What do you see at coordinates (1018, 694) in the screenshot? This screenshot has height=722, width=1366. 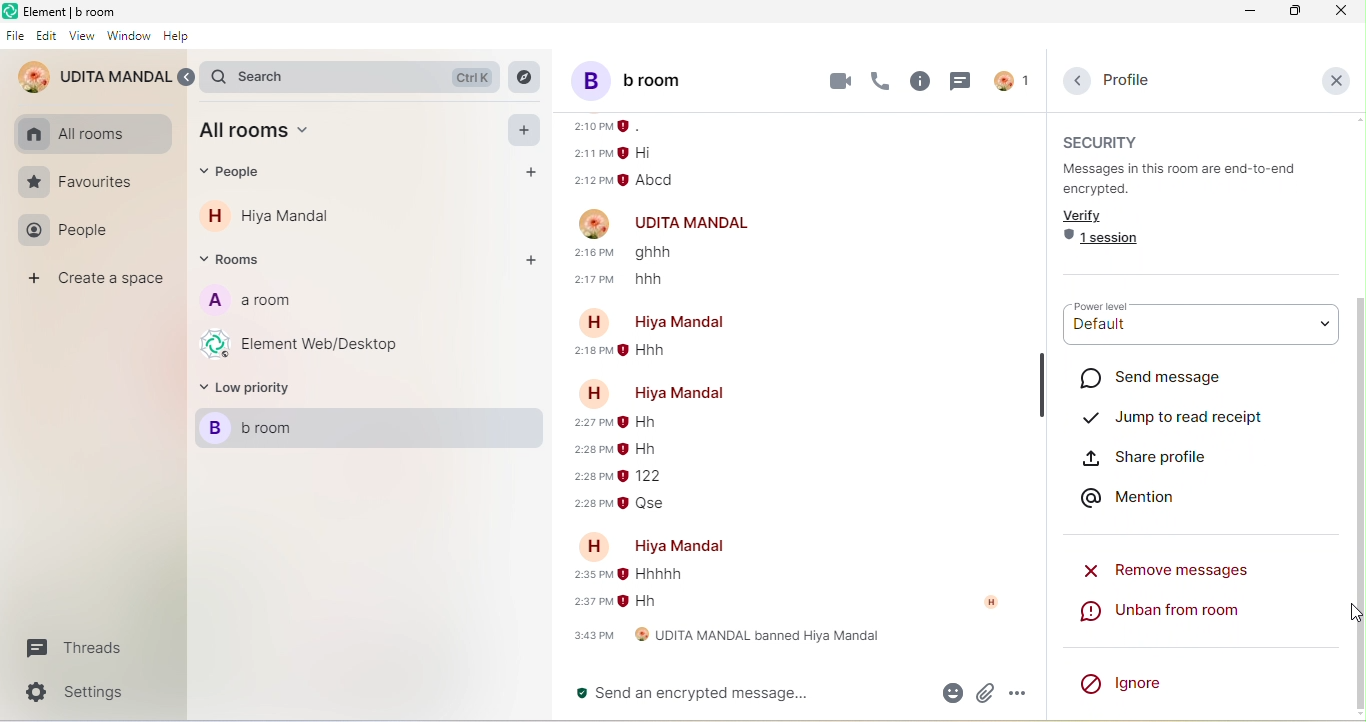 I see `option` at bounding box center [1018, 694].